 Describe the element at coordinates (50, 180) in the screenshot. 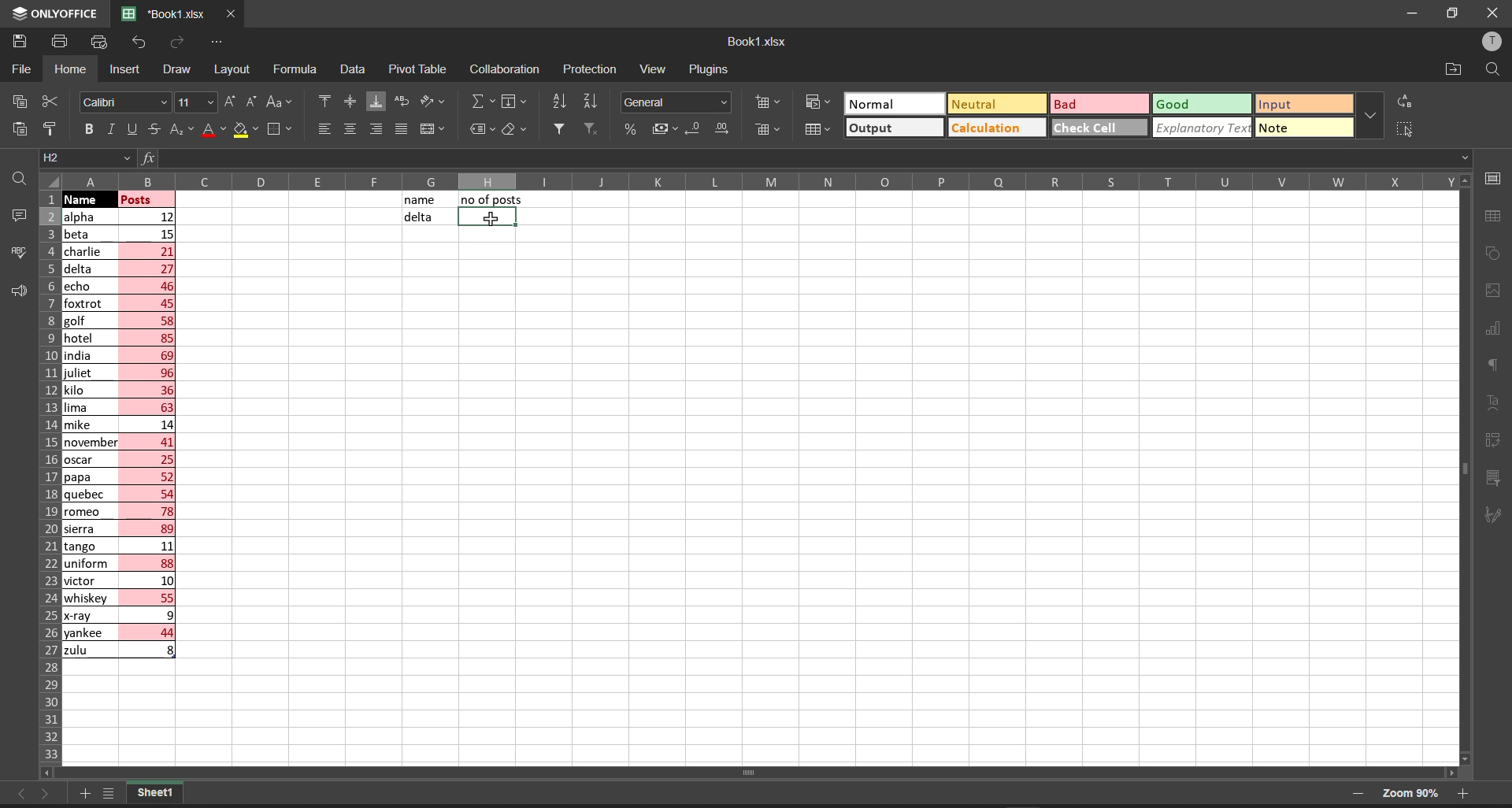

I see `select all` at that location.